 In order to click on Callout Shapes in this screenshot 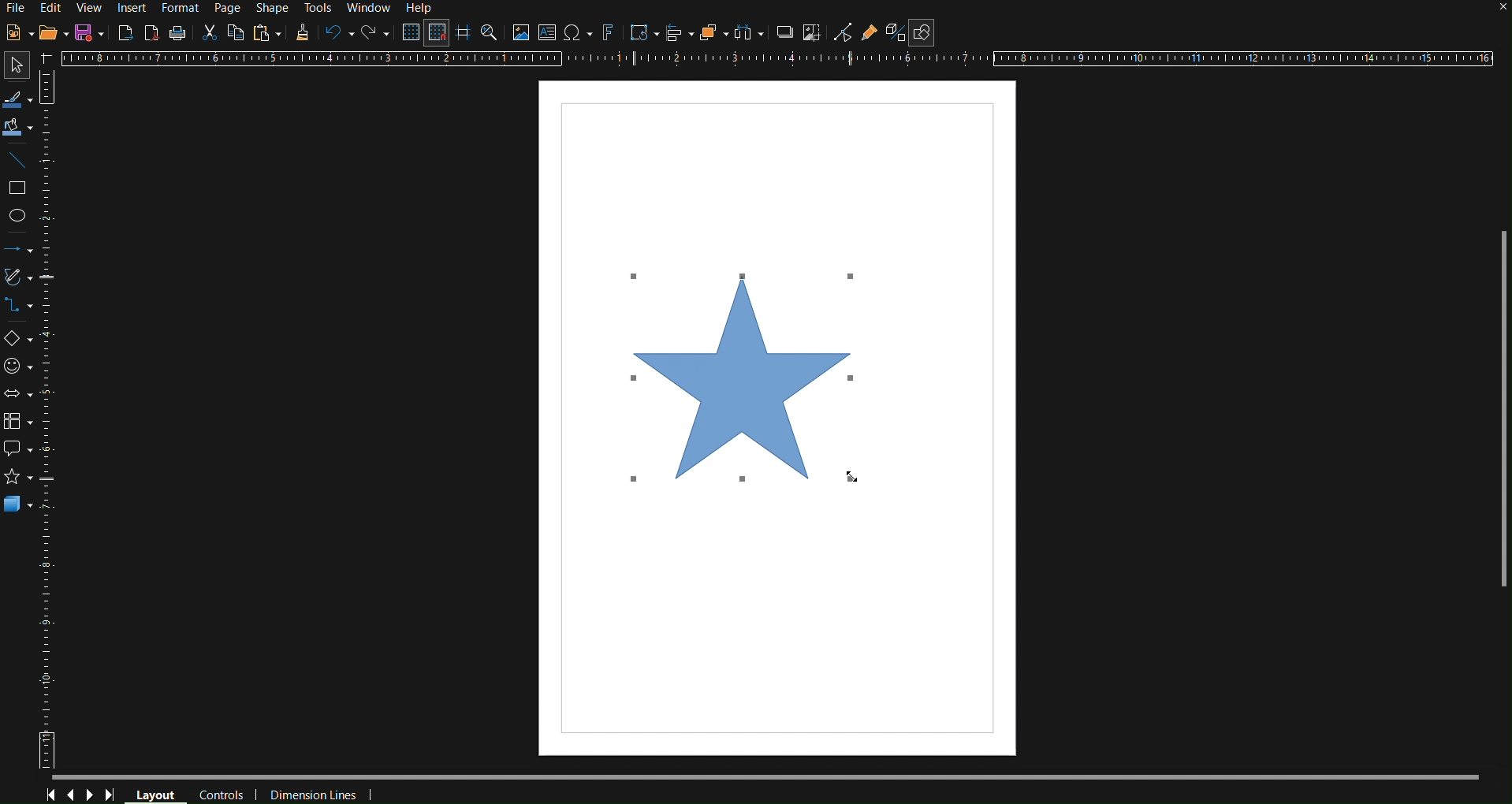, I will do `click(19, 450)`.